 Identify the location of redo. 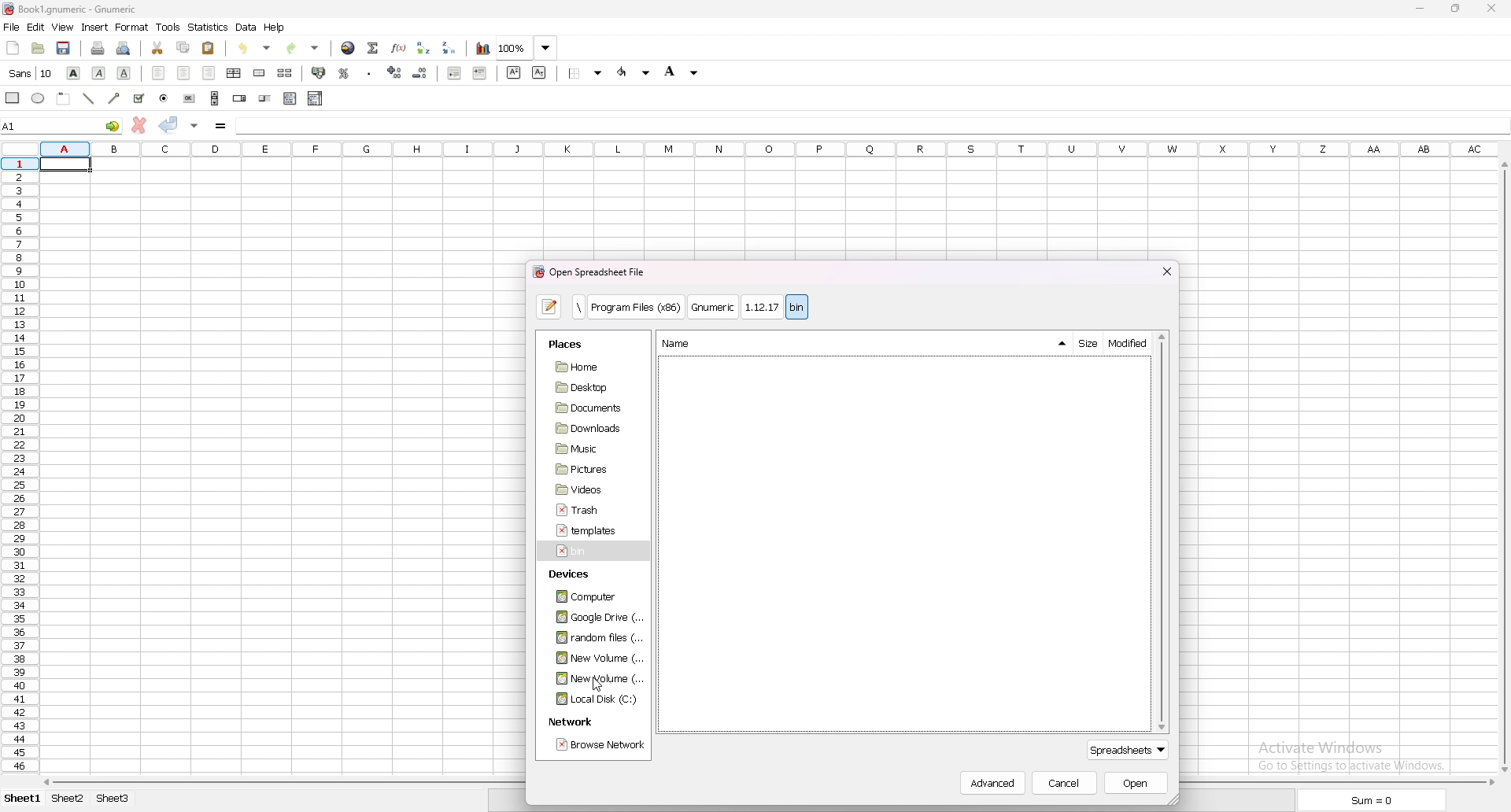
(305, 49).